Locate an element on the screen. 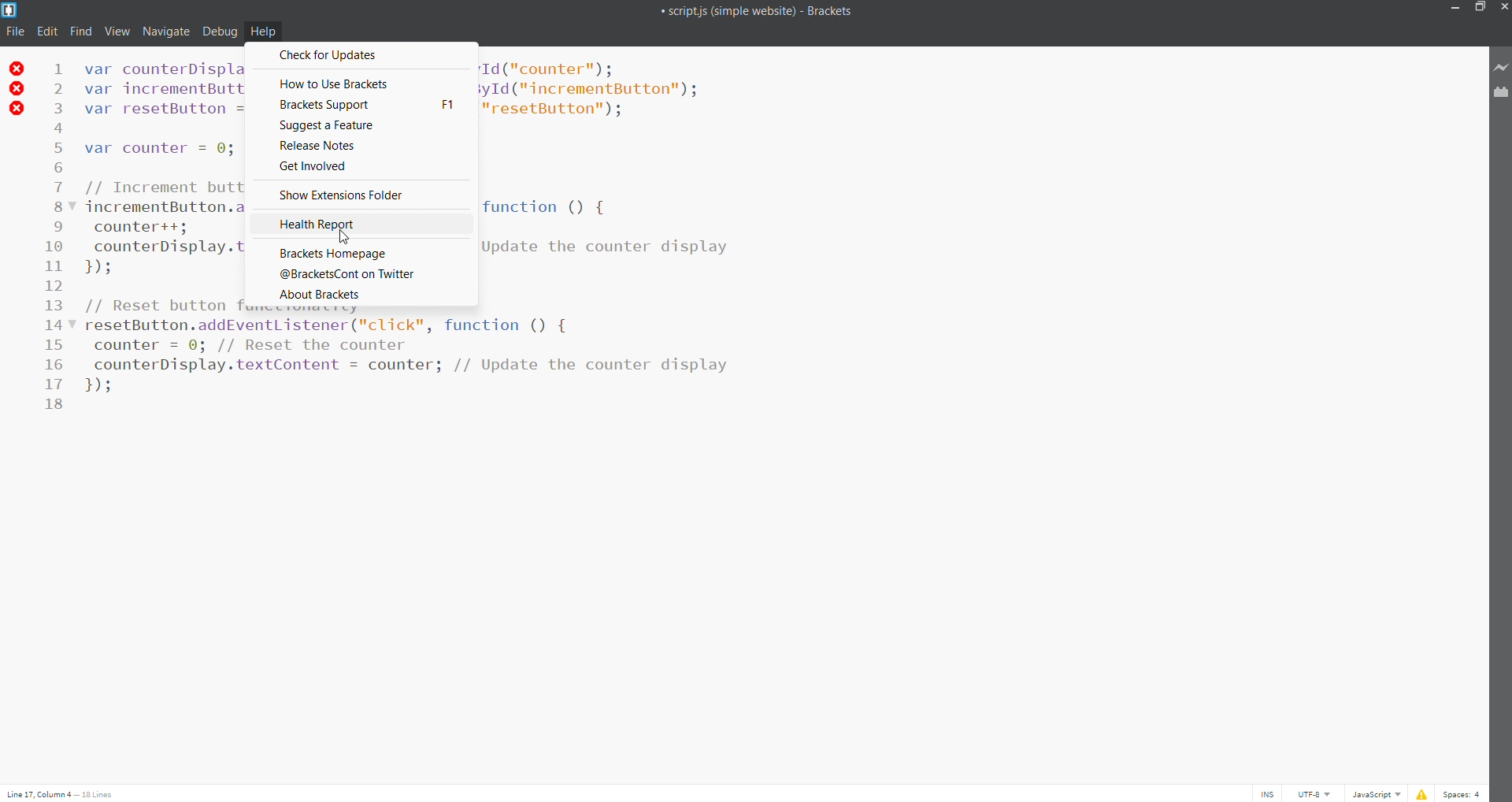  extension manager is located at coordinates (1502, 94).